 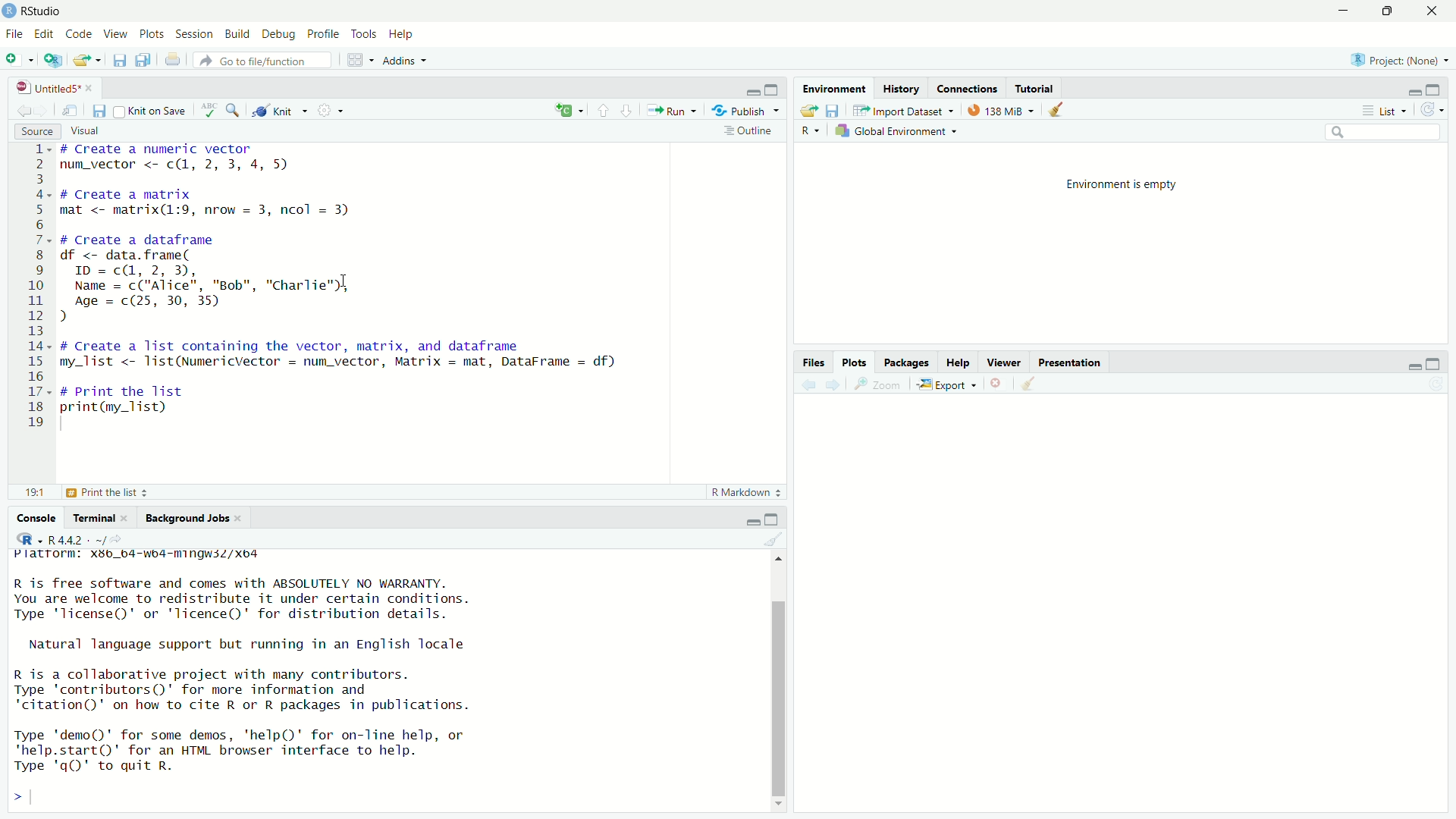 I want to click on print, so click(x=174, y=61).